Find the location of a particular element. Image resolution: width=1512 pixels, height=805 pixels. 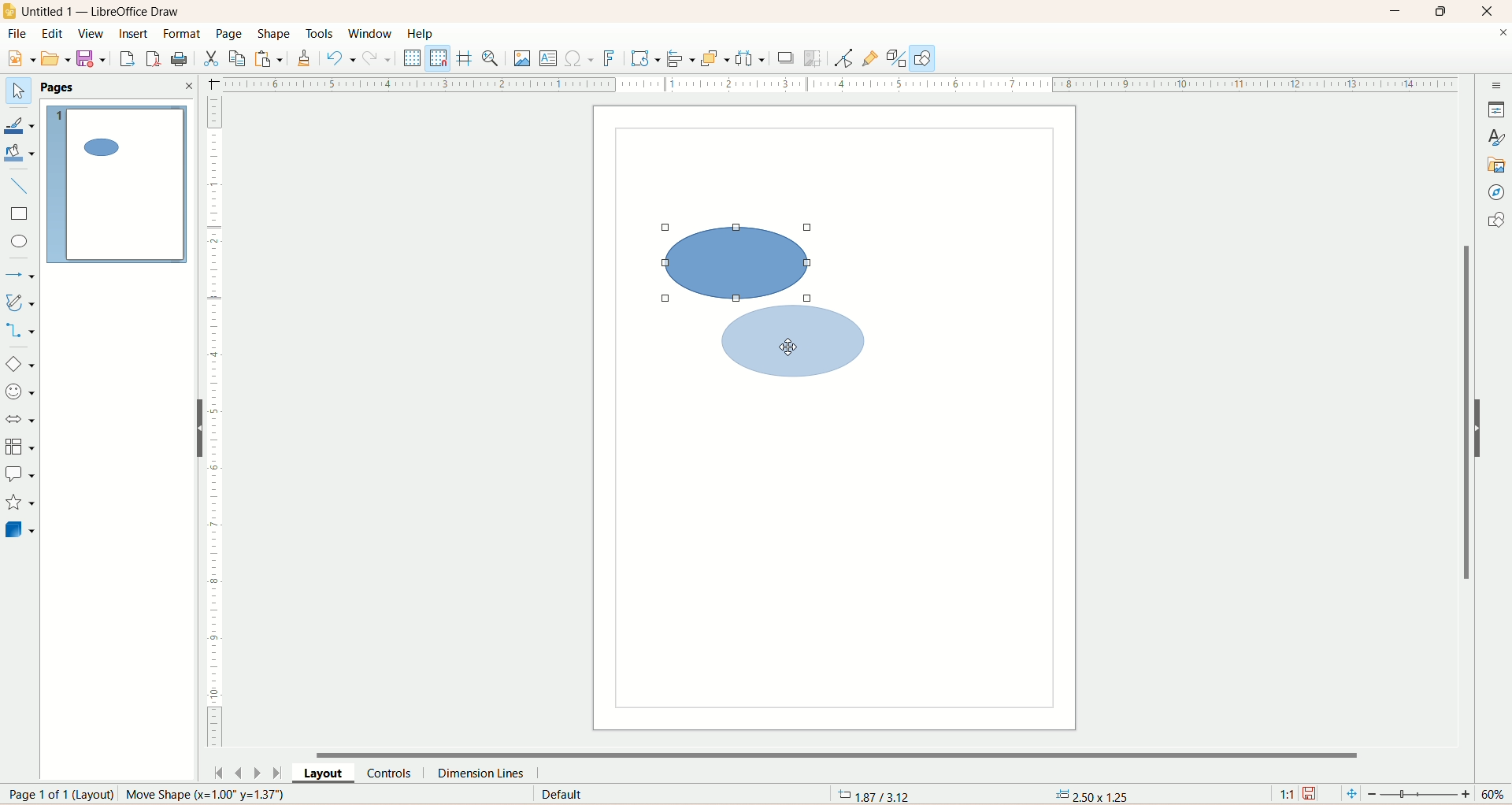

helpline is located at coordinates (465, 60).